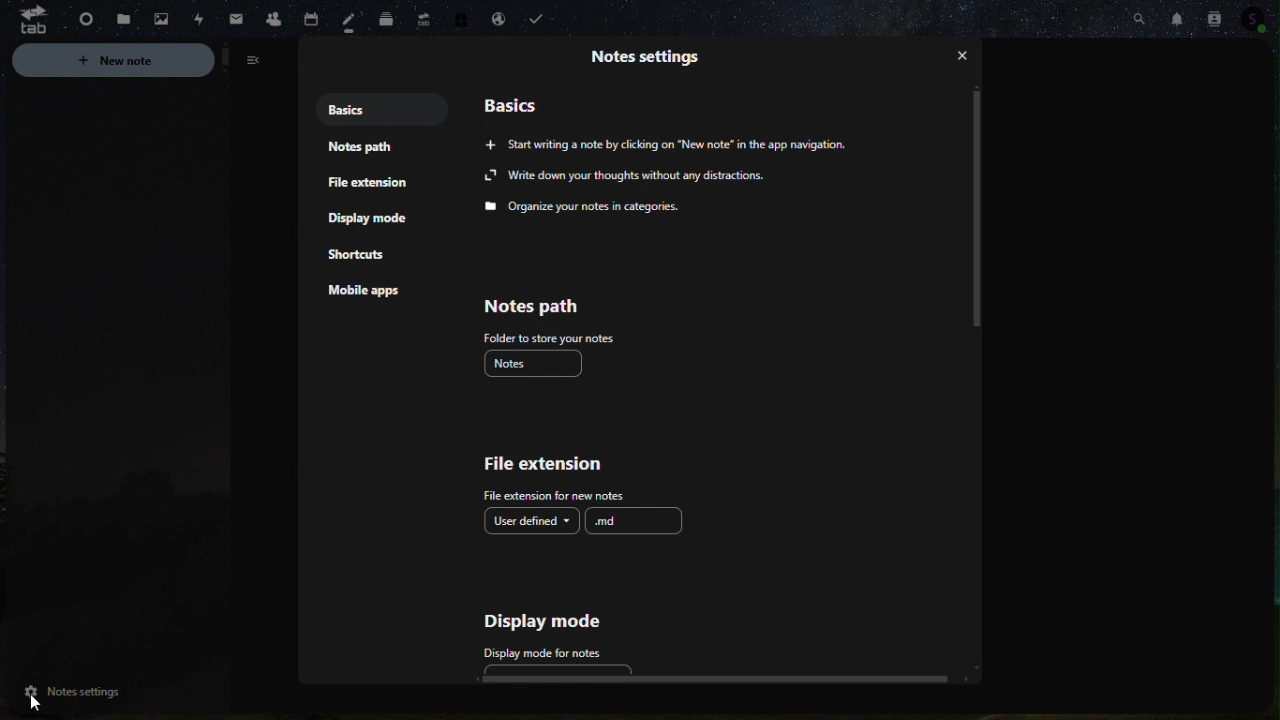 Image resolution: width=1280 pixels, height=720 pixels. Describe the element at coordinates (1174, 17) in the screenshot. I see `Notifications` at that location.